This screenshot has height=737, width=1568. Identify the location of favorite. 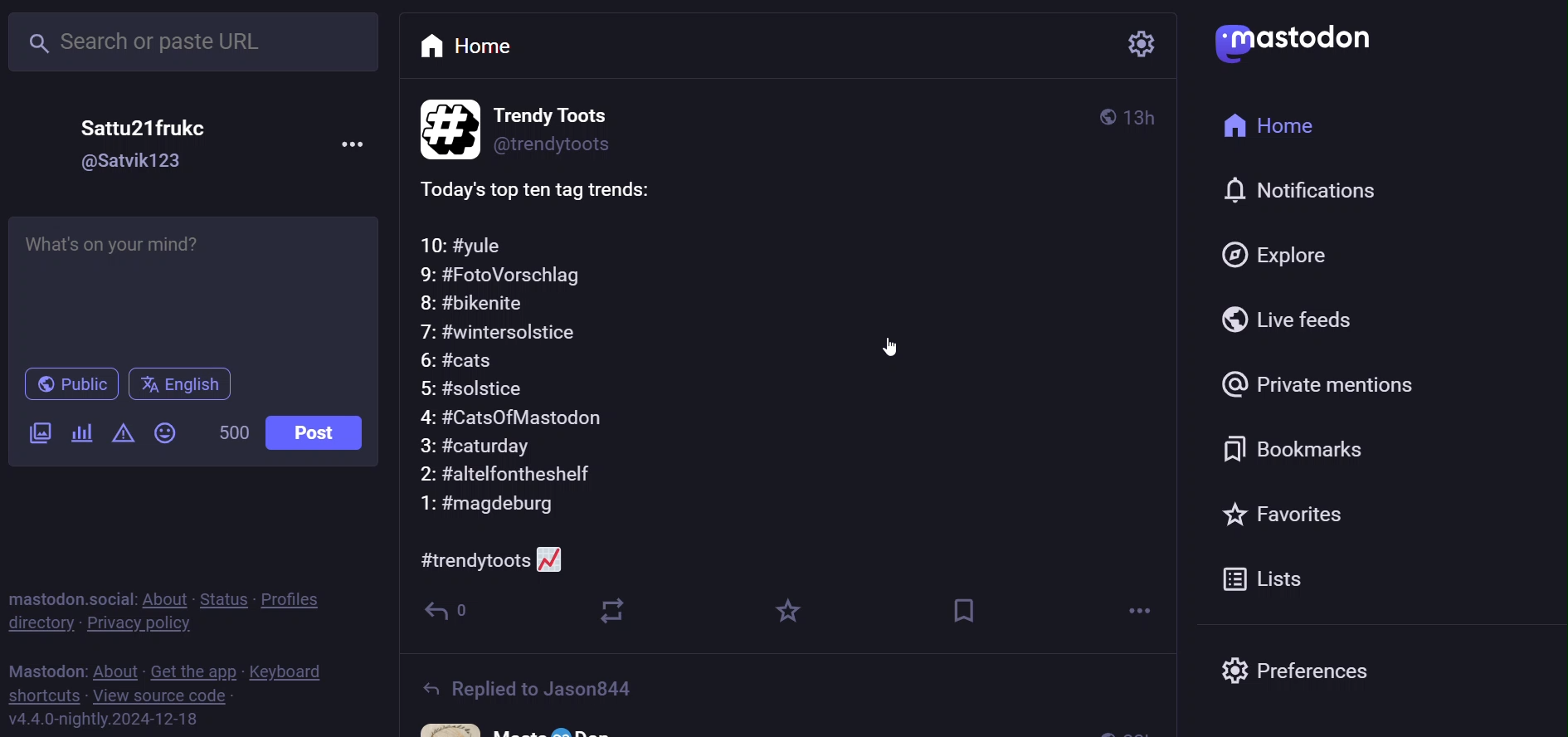
(800, 607).